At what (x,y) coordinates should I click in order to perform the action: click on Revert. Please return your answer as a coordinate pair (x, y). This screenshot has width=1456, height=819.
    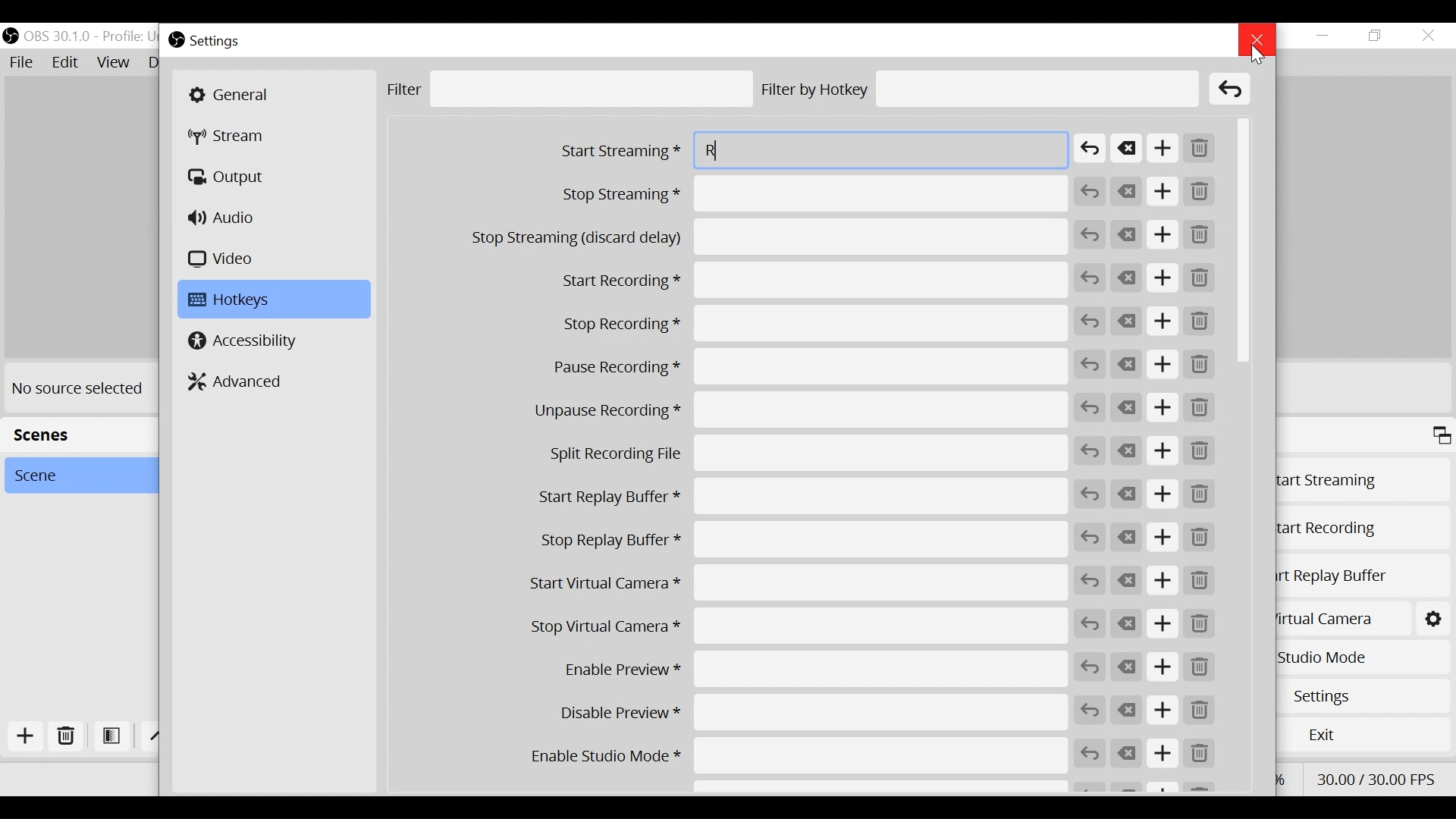
    Looking at the image, I should click on (1090, 494).